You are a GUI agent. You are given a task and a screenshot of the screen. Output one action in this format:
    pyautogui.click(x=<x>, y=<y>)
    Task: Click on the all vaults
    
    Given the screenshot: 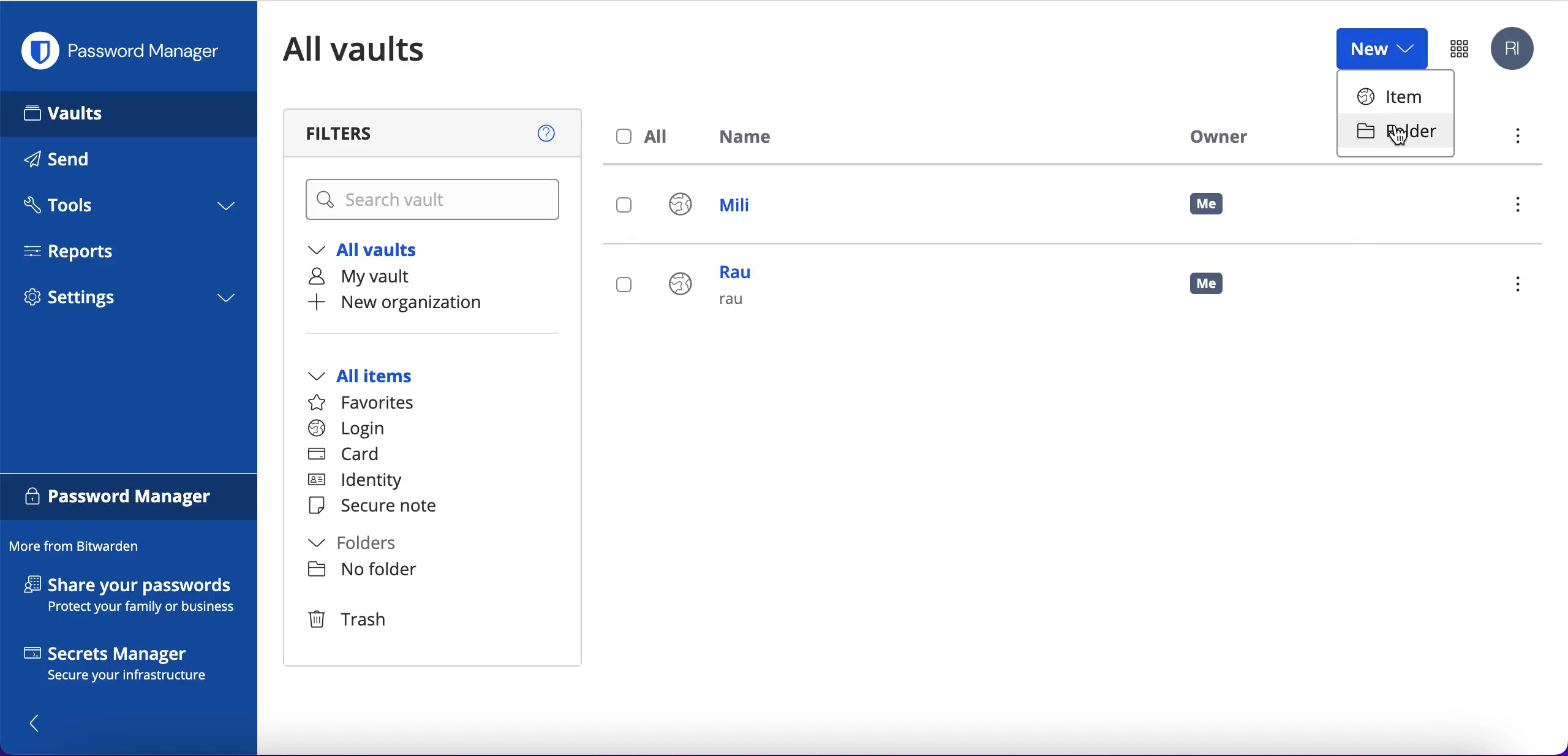 What is the action you would take?
    pyautogui.click(x=372, y=252)
    